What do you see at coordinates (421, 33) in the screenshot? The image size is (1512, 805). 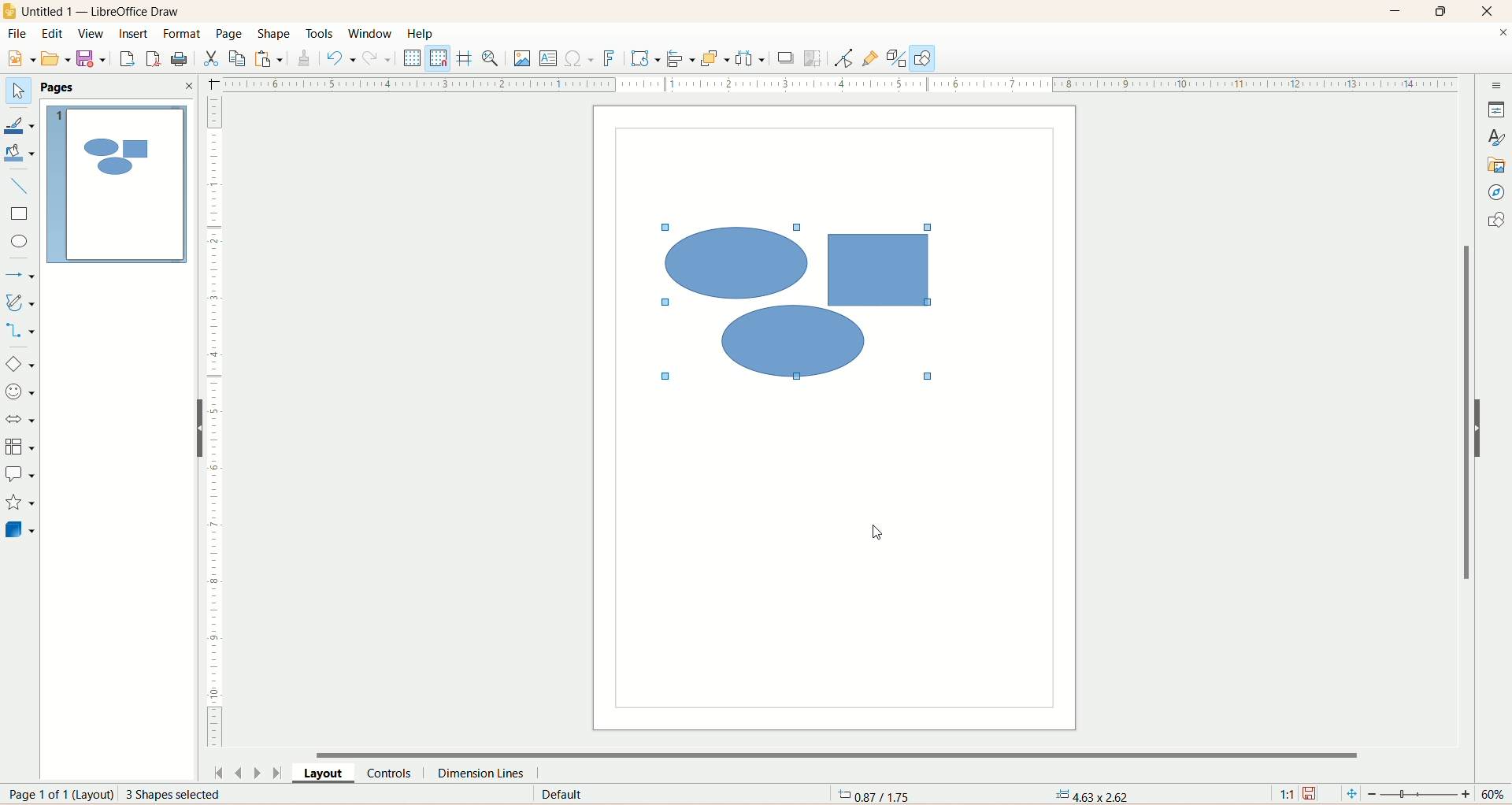 I see `help` at bounding box center [421, 33].